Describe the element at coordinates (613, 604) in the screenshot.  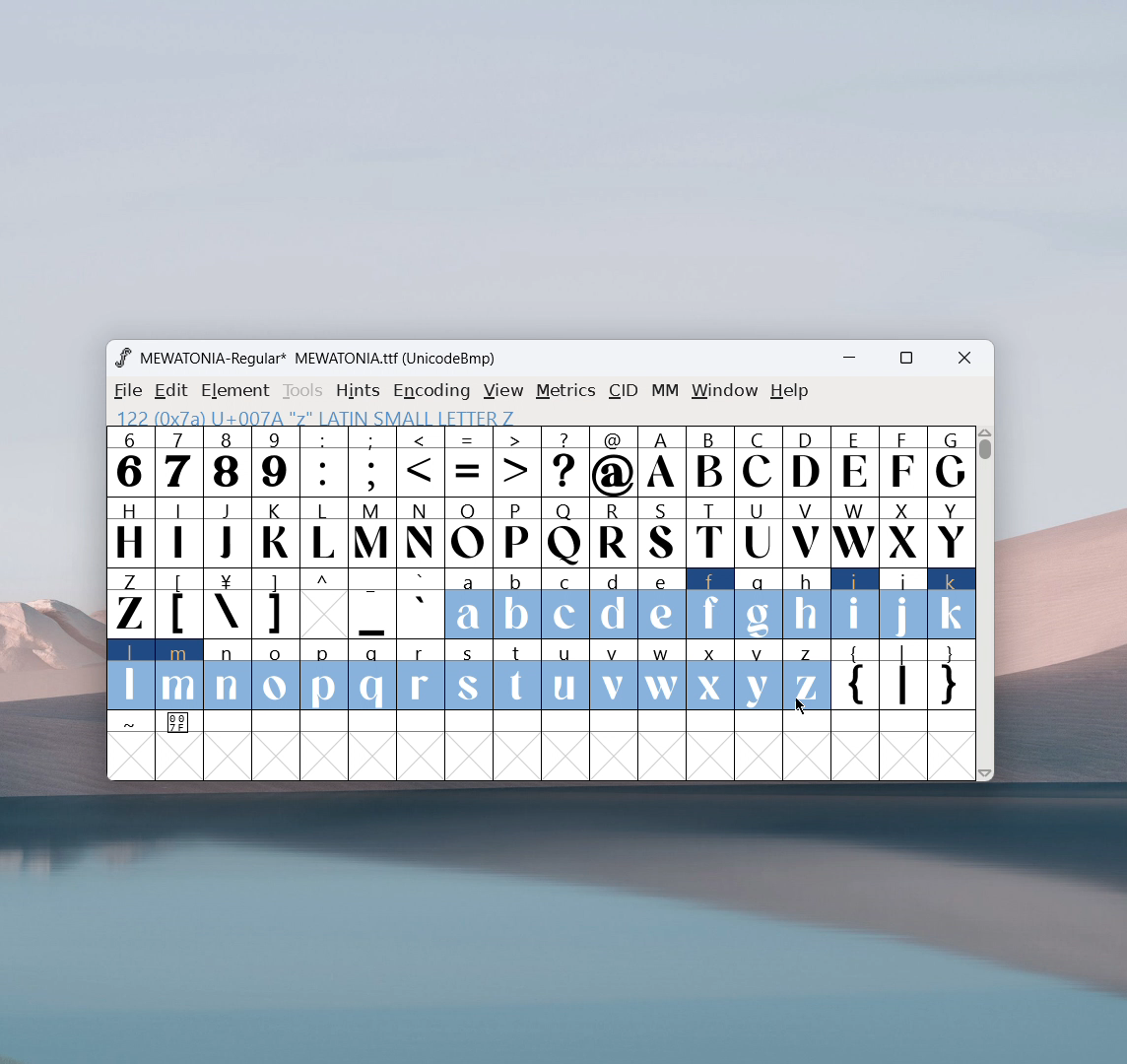
I see `d` at that location.